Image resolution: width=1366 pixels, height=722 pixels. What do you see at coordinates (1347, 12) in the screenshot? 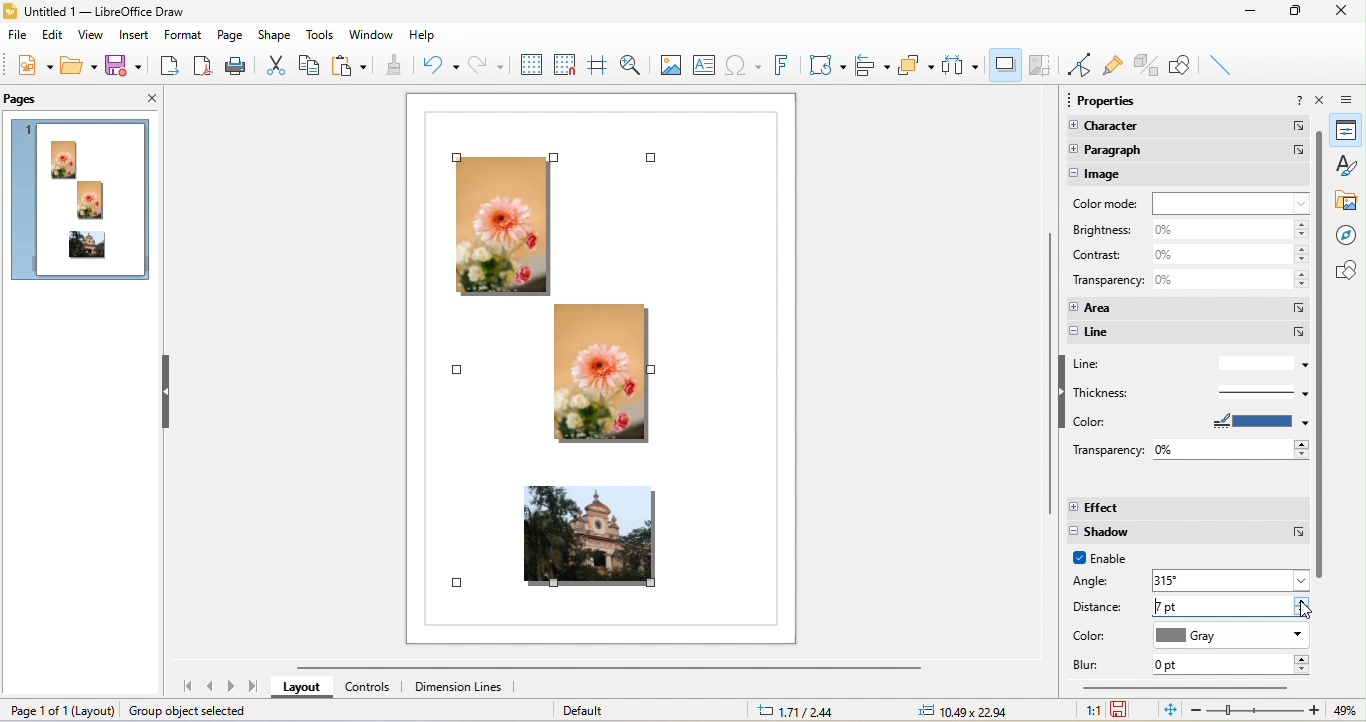
I see `close` at bounding box center [1347, 12].